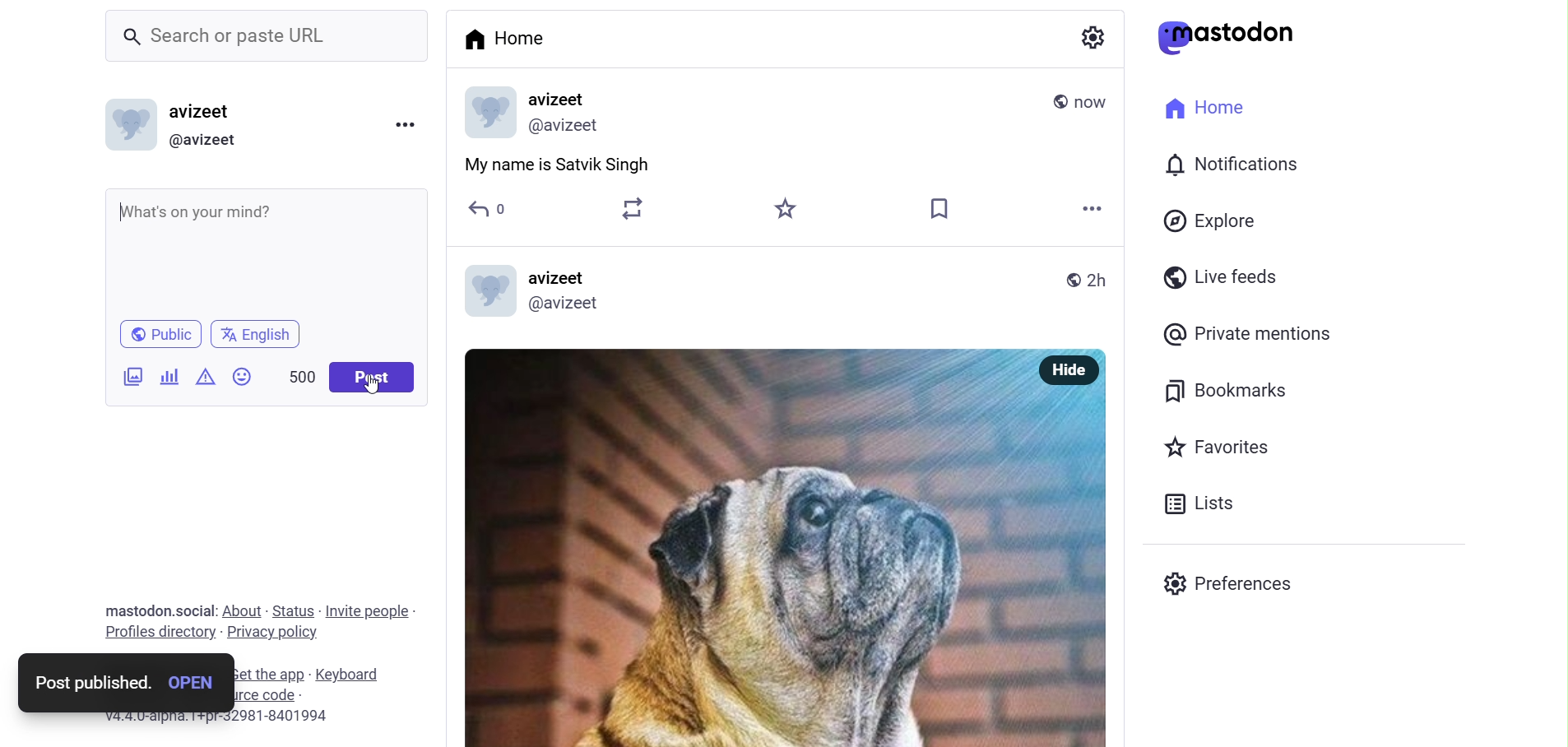 The image size is (1568, 747). Describe the element at coordinates (1092, 42) in the screenshot. I see `settings` at that location.